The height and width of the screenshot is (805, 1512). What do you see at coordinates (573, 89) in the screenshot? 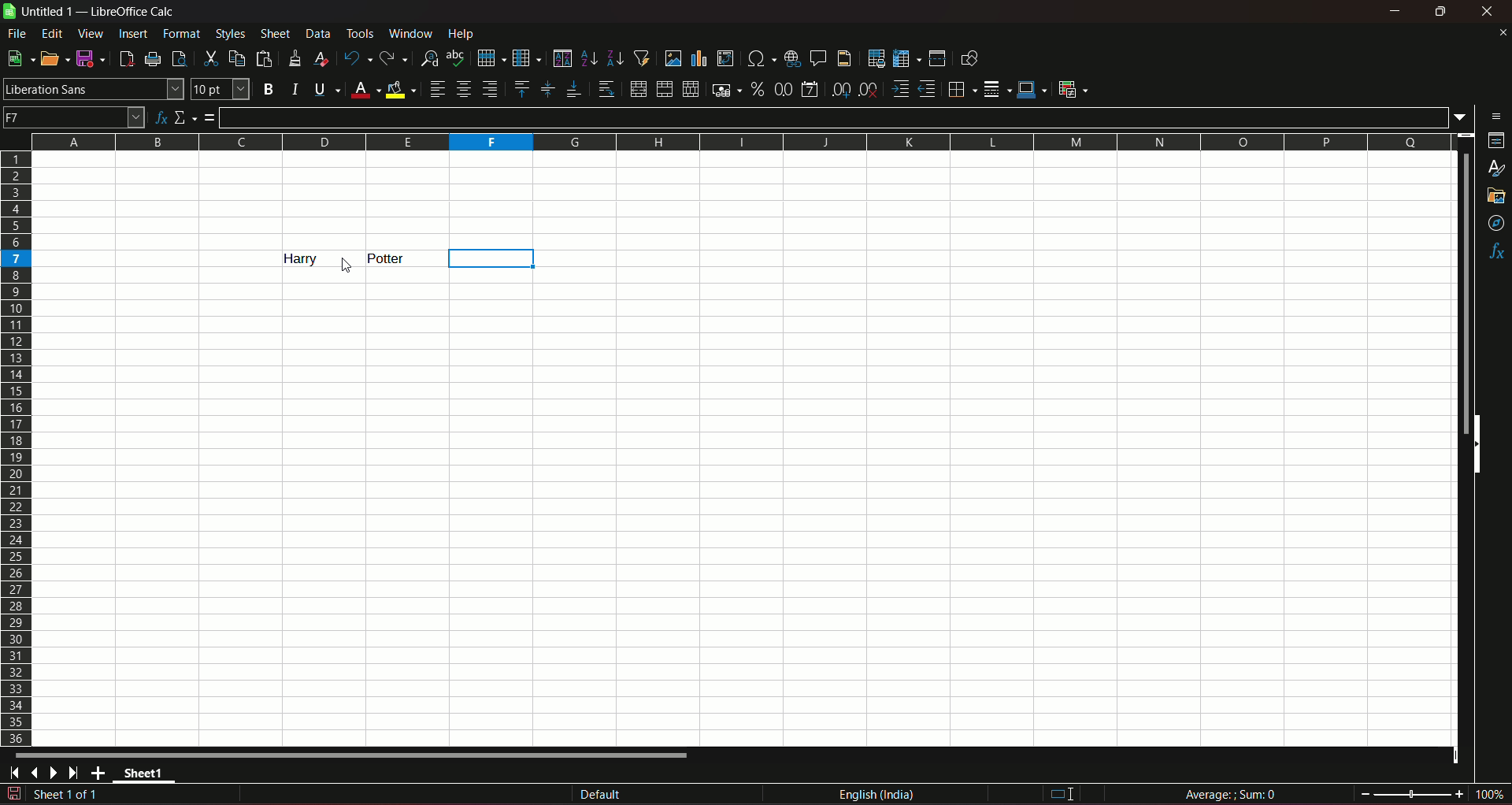
I see `align bottom` at bounding box center [573, 89].